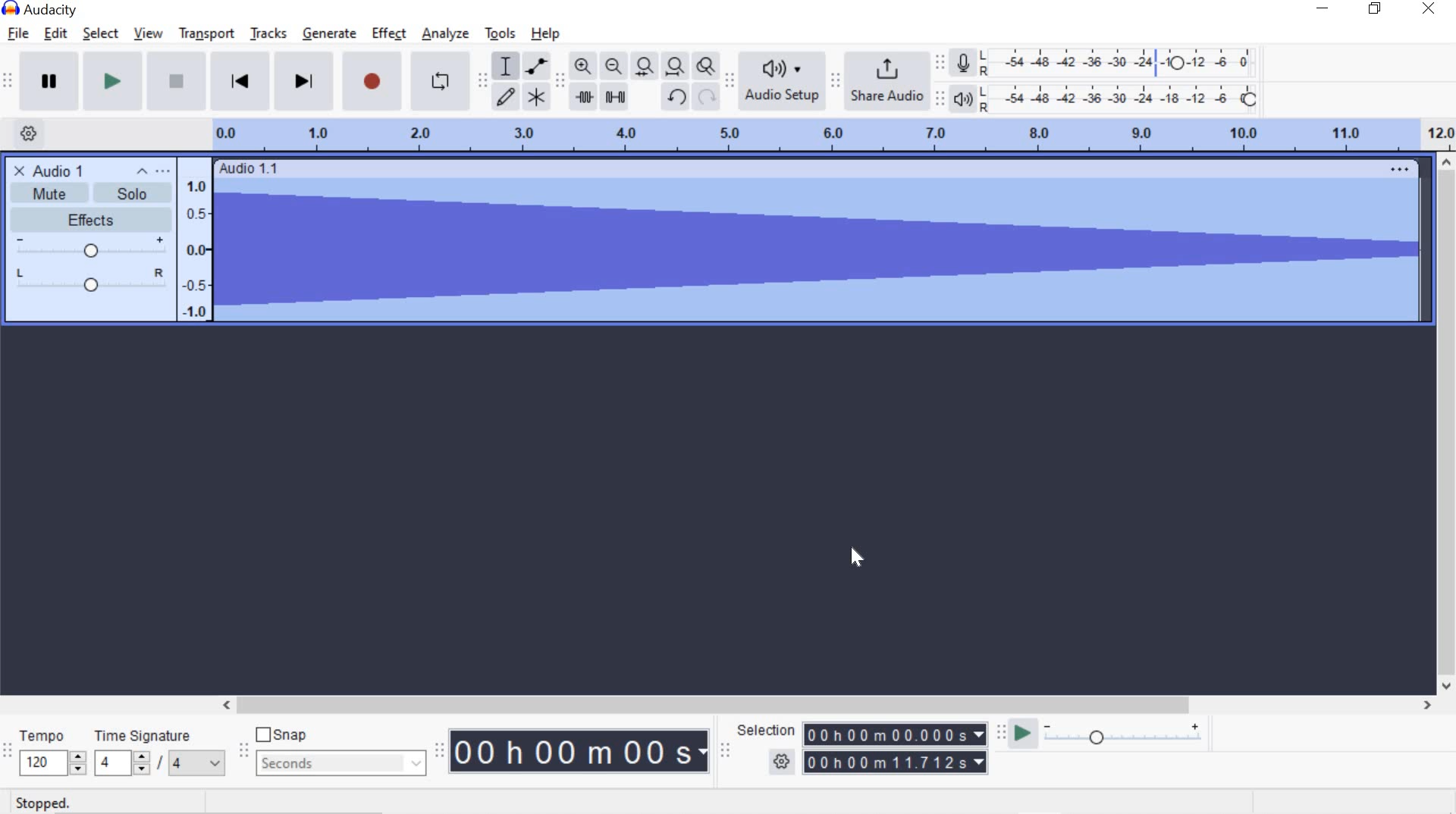 The width and height of the screenshot is (1456, 814). I want to click on silence audio selection, so click(616, 96).